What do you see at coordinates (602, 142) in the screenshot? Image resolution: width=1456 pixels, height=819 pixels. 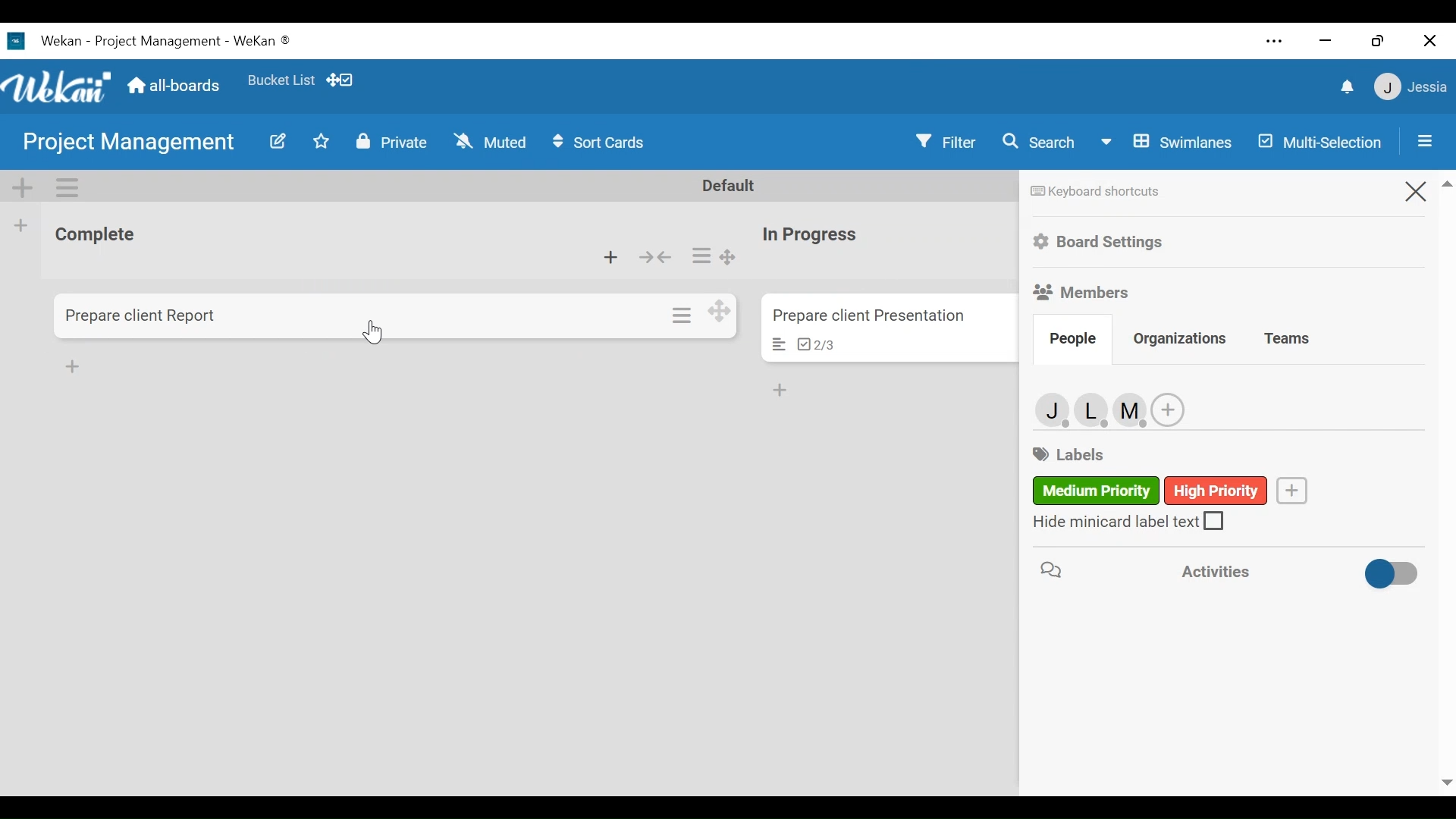 I see `` at bounding box center [602, 142].